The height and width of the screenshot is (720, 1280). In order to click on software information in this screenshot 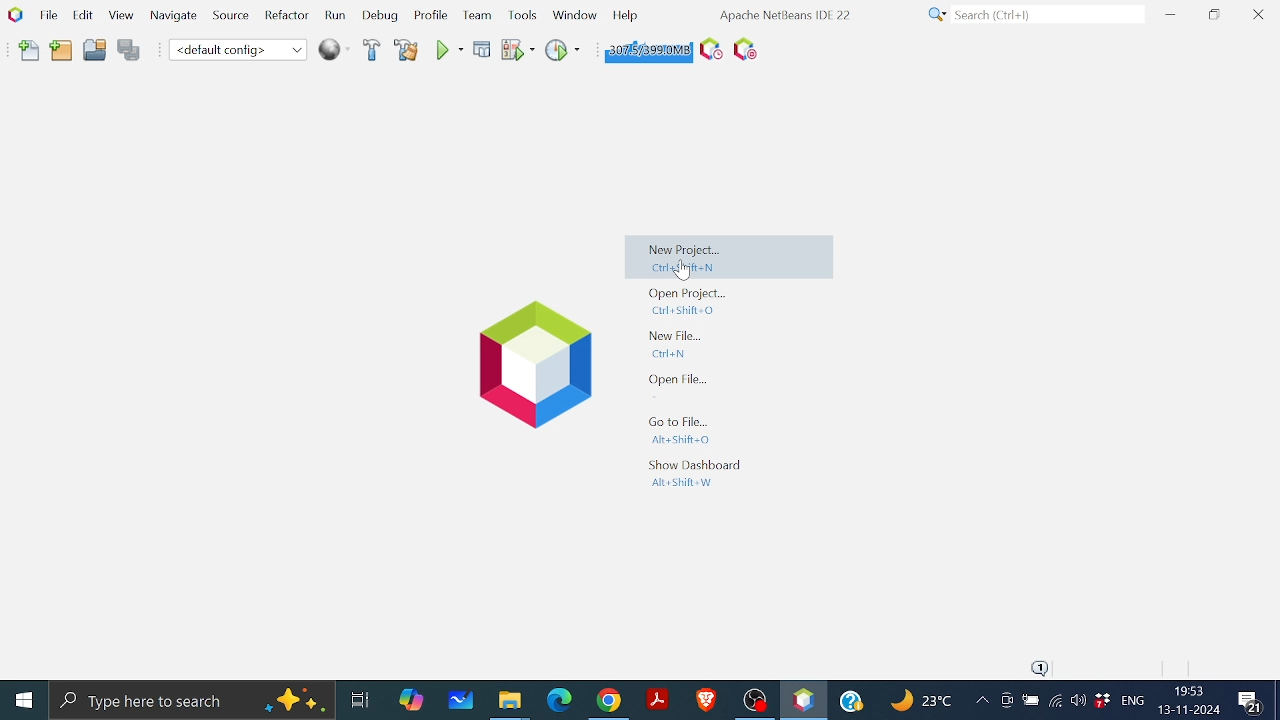, I will do `click(783, 14)`.